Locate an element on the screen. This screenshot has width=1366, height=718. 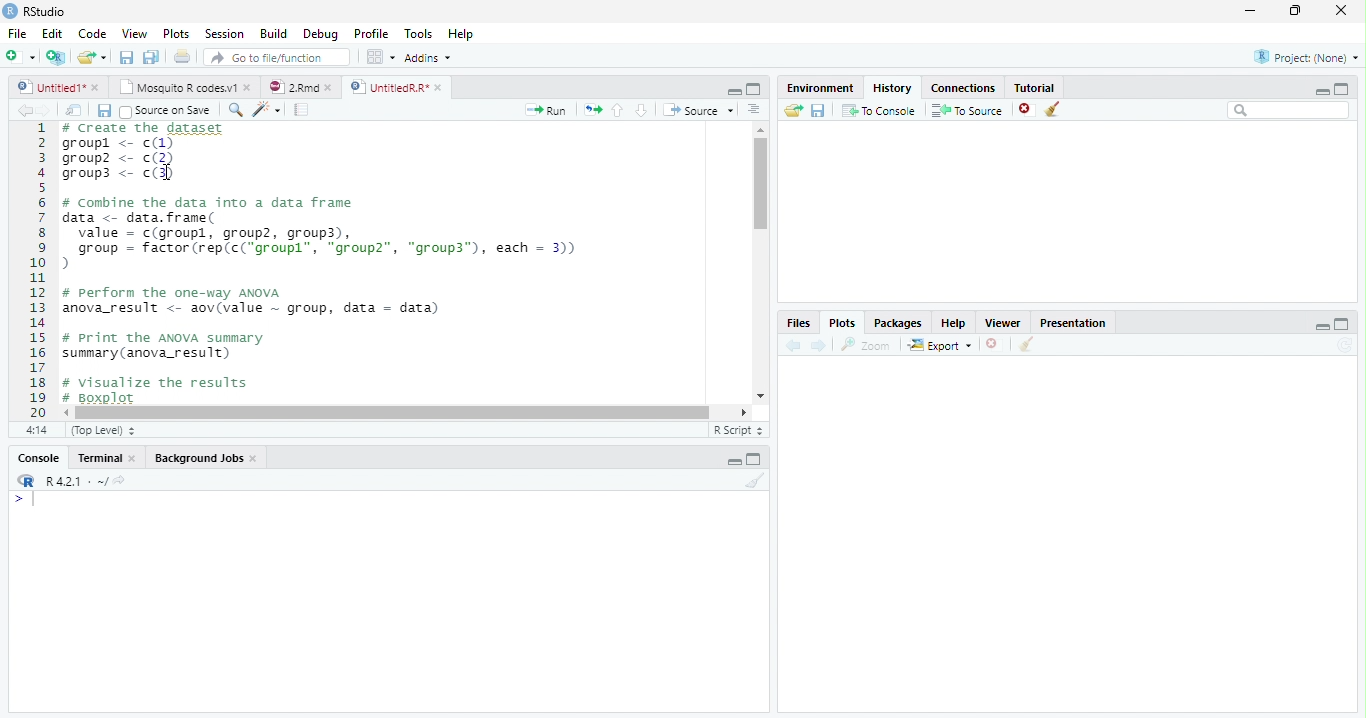
Save is located at coordinates (128, 58).